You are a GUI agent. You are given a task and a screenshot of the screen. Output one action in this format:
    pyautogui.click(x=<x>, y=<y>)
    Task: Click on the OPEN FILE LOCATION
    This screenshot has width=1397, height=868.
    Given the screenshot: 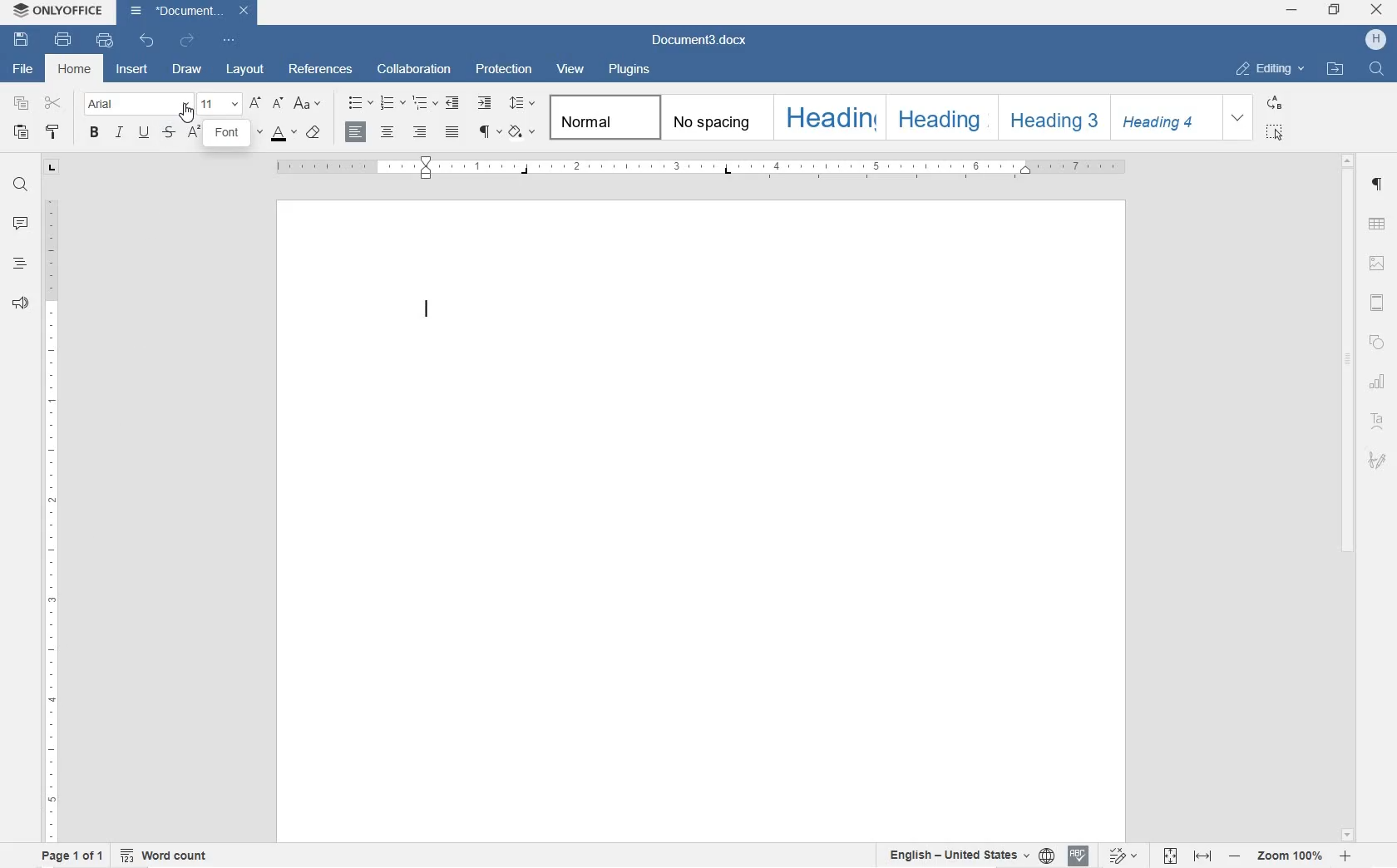 What is the action you would take?
    pyautogui.click(x=1335, y=67)
    